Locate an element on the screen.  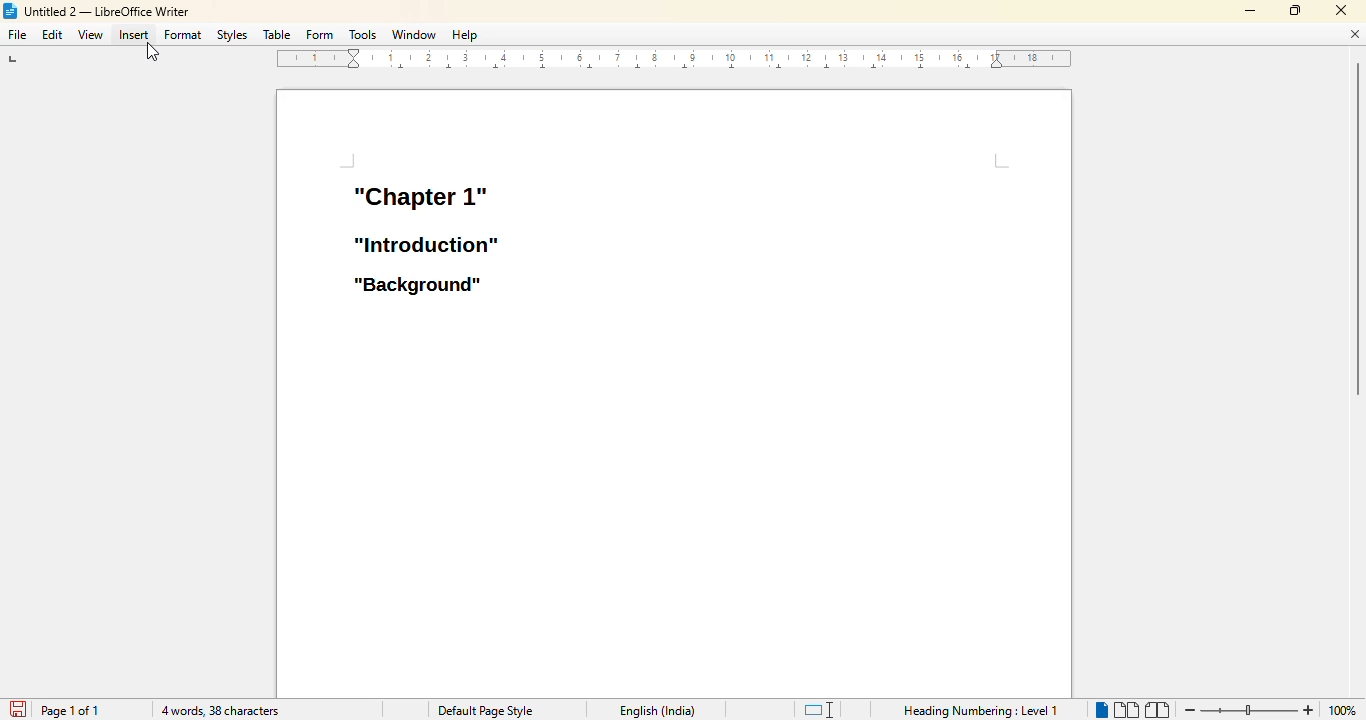
page style is located at coordinates (484, 711).